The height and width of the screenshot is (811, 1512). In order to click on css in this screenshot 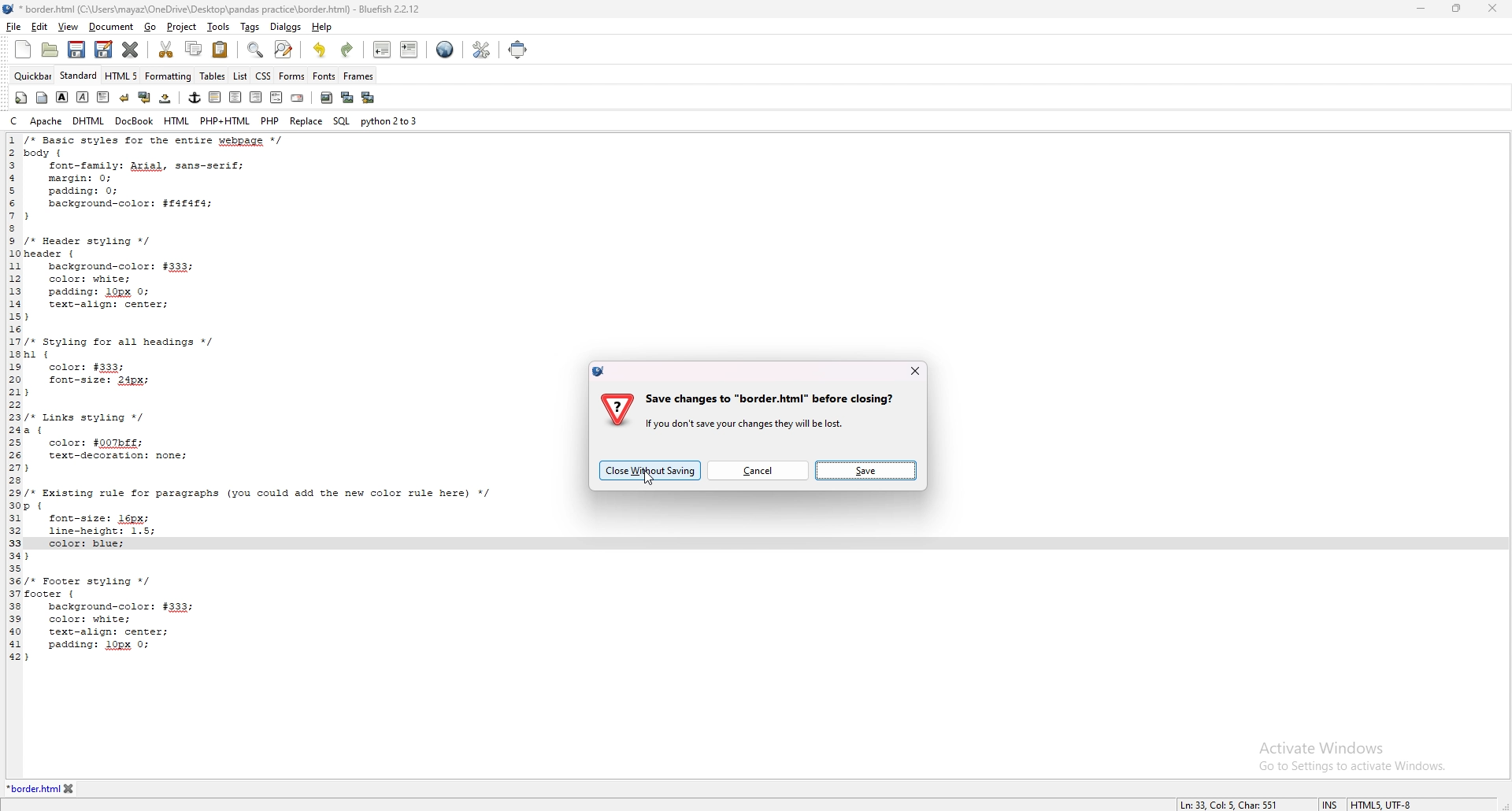, I will do `click(262, 77)`.